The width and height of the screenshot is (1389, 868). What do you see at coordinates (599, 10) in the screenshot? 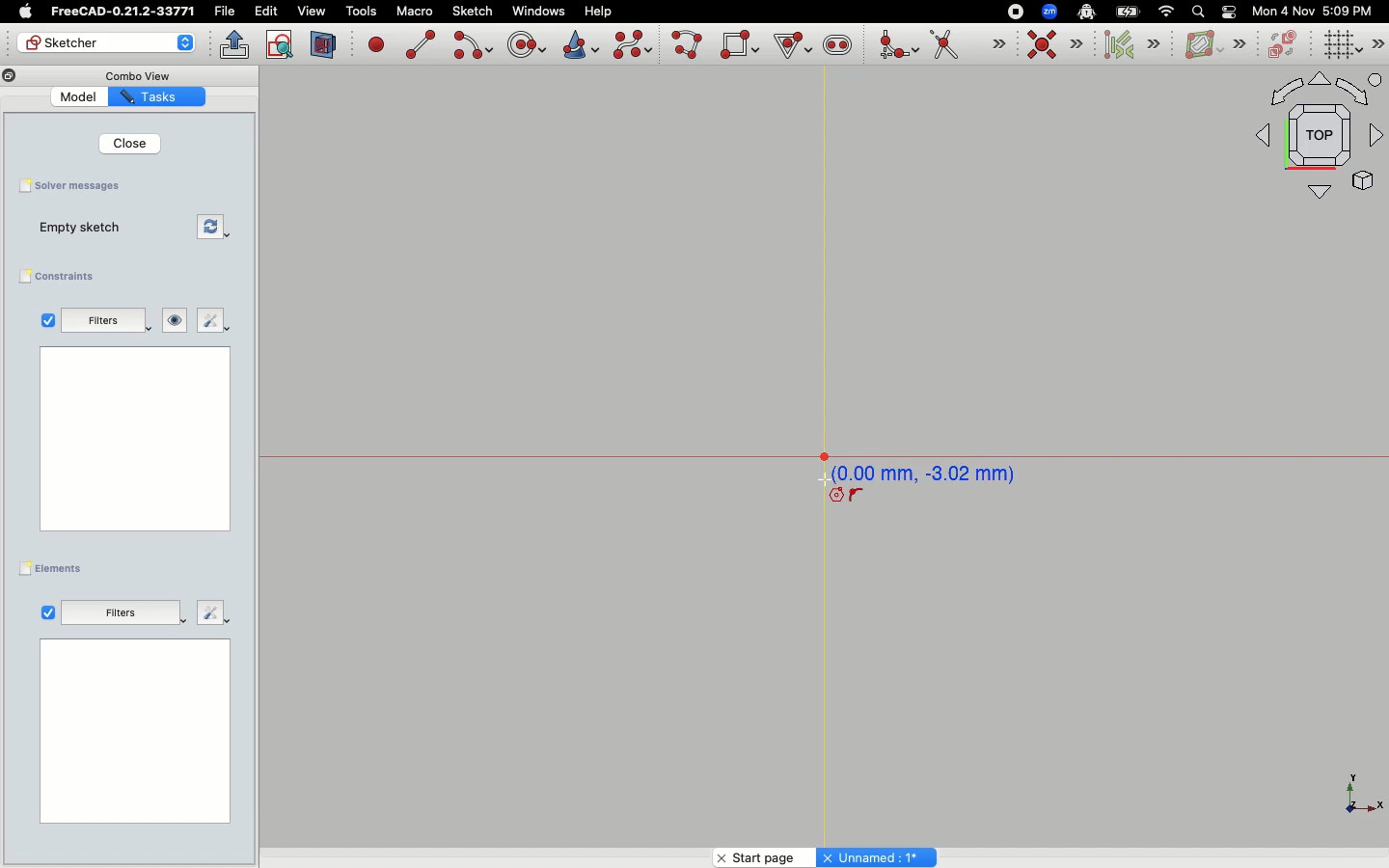
I see `Help` at bounding box center [599, 10].